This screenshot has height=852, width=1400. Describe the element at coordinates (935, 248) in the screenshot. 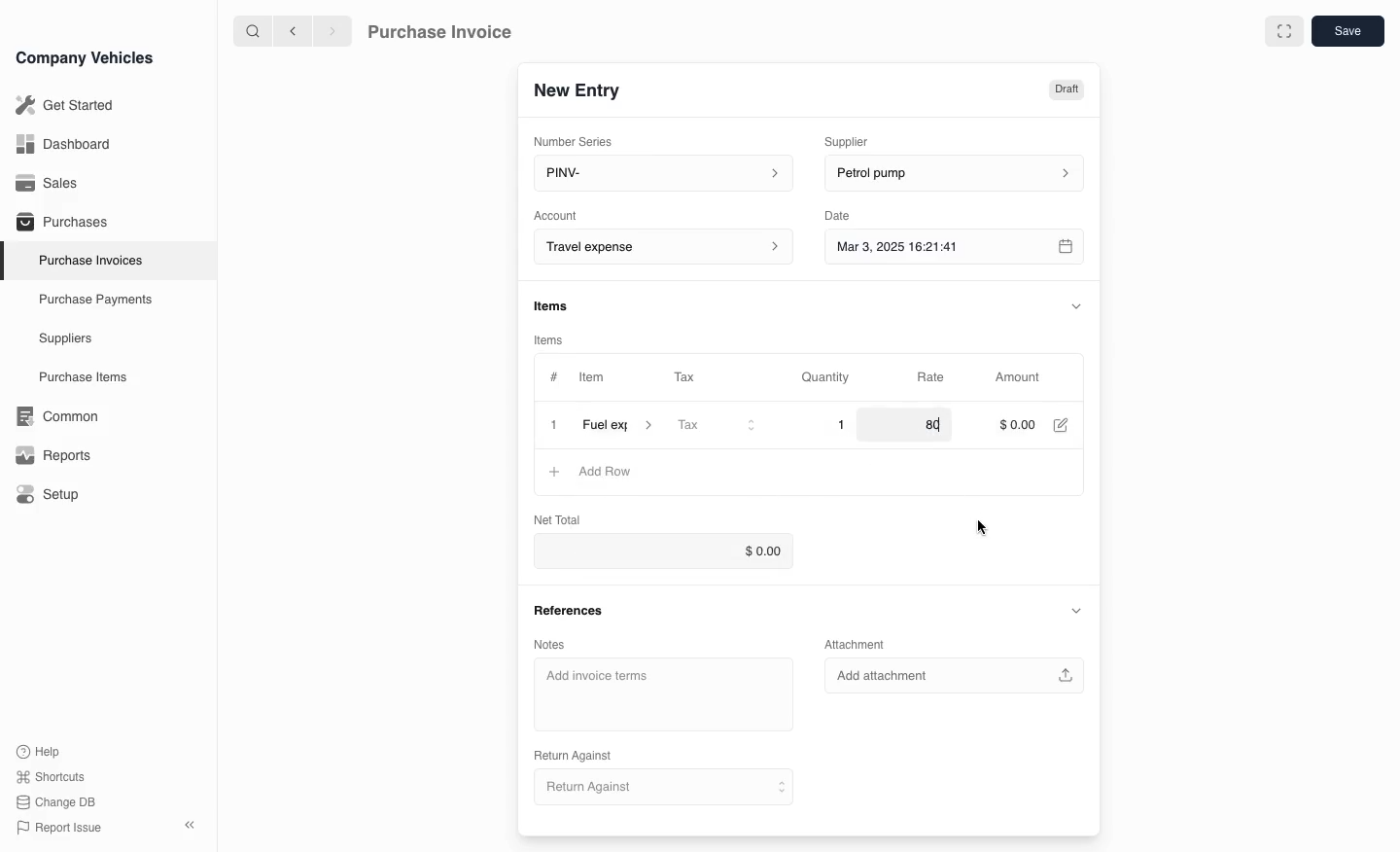

I see `Mar 3, 2025 16:21:41` at that location.